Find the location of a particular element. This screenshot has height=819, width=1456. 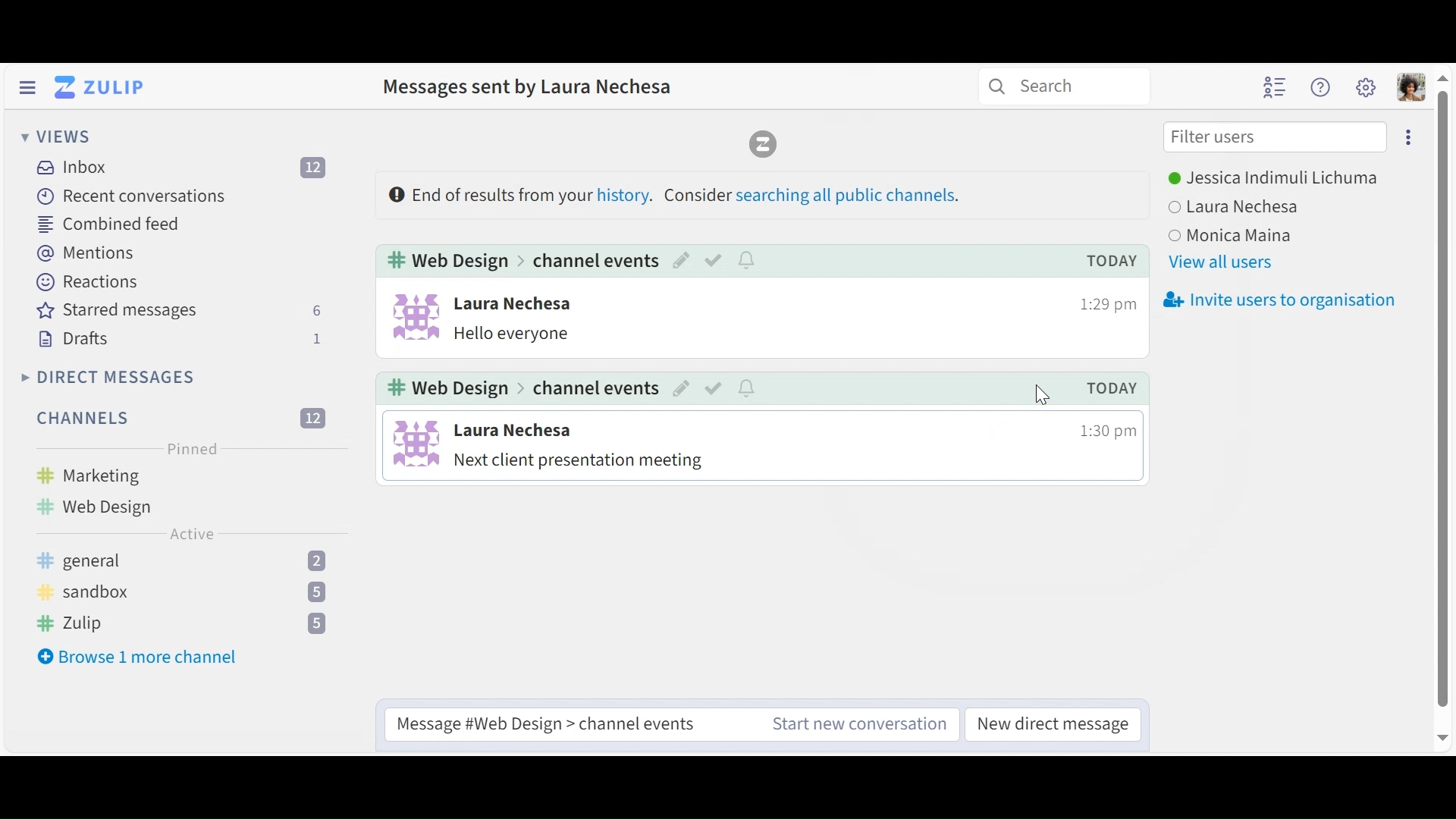

Invite users to organisation is located at coordinates (1277, 300).